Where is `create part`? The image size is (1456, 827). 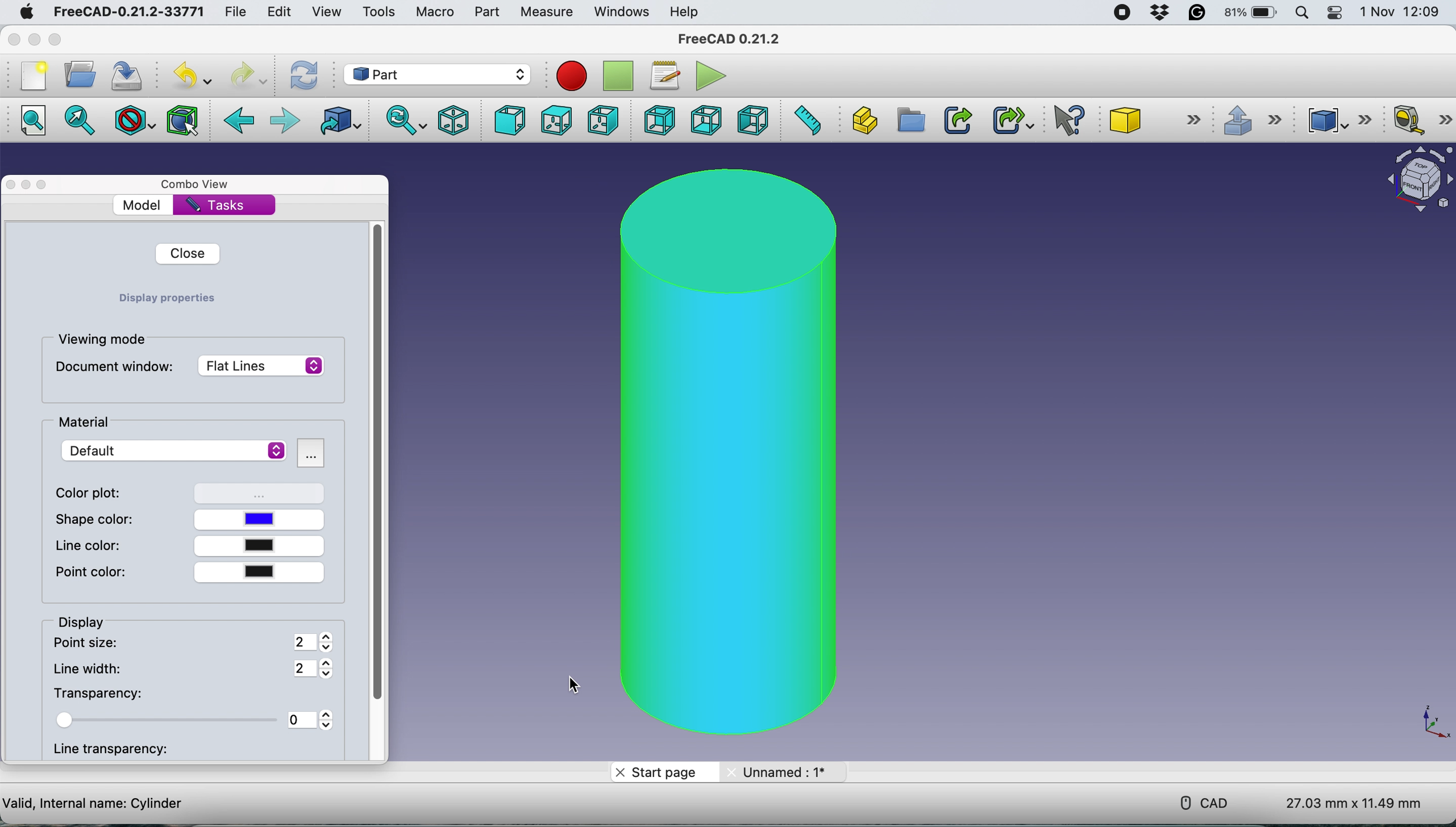 create part is located at coordinates (862, 120).